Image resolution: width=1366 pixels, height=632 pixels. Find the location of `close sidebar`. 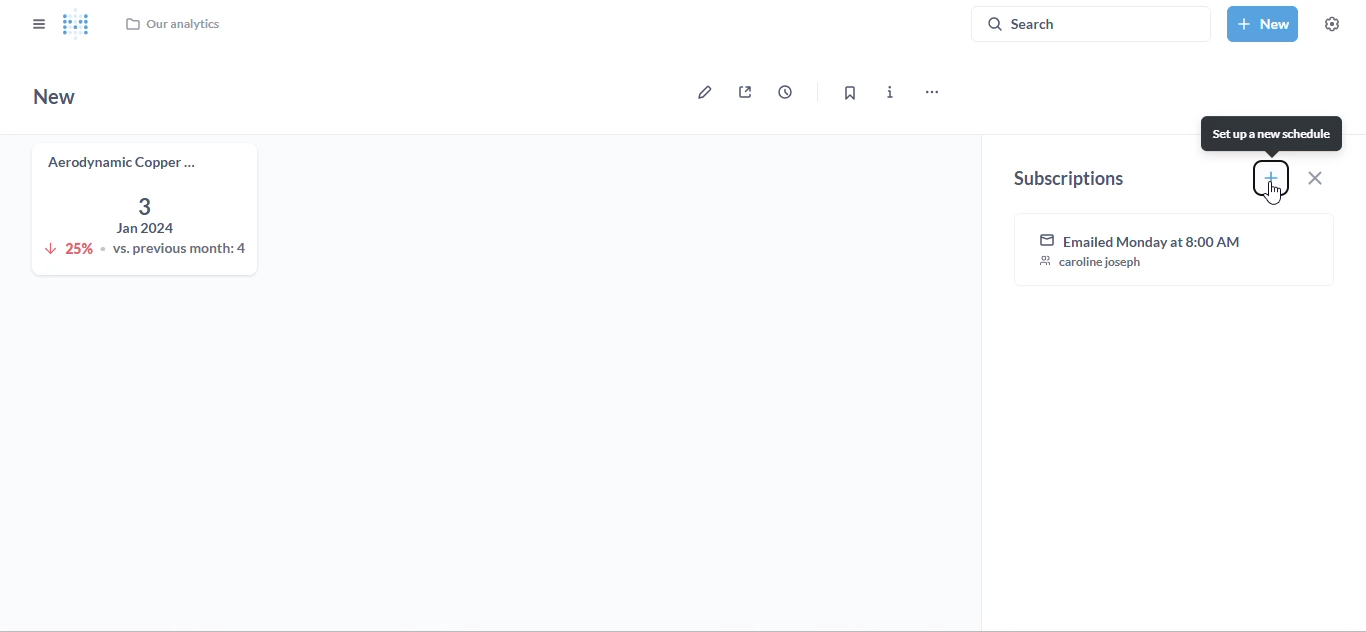

close sidebar is located at coordinates (39, 23).